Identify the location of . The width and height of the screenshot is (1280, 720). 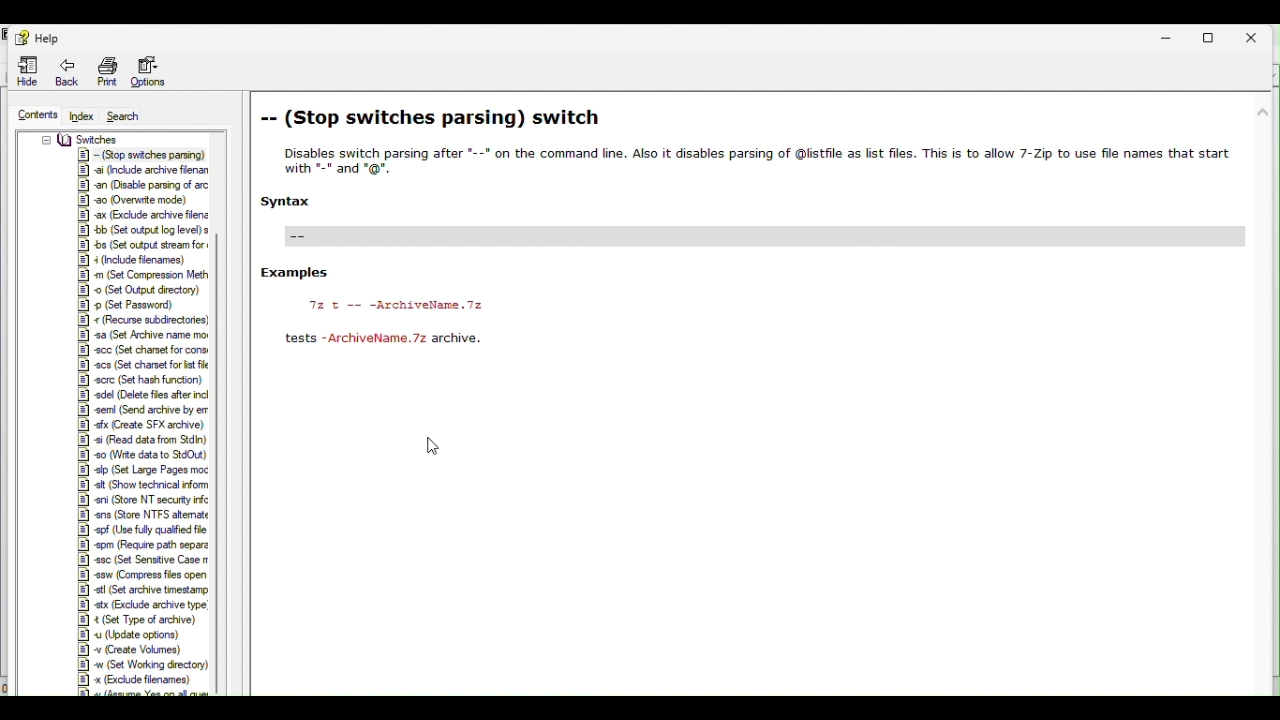
(144, 319).